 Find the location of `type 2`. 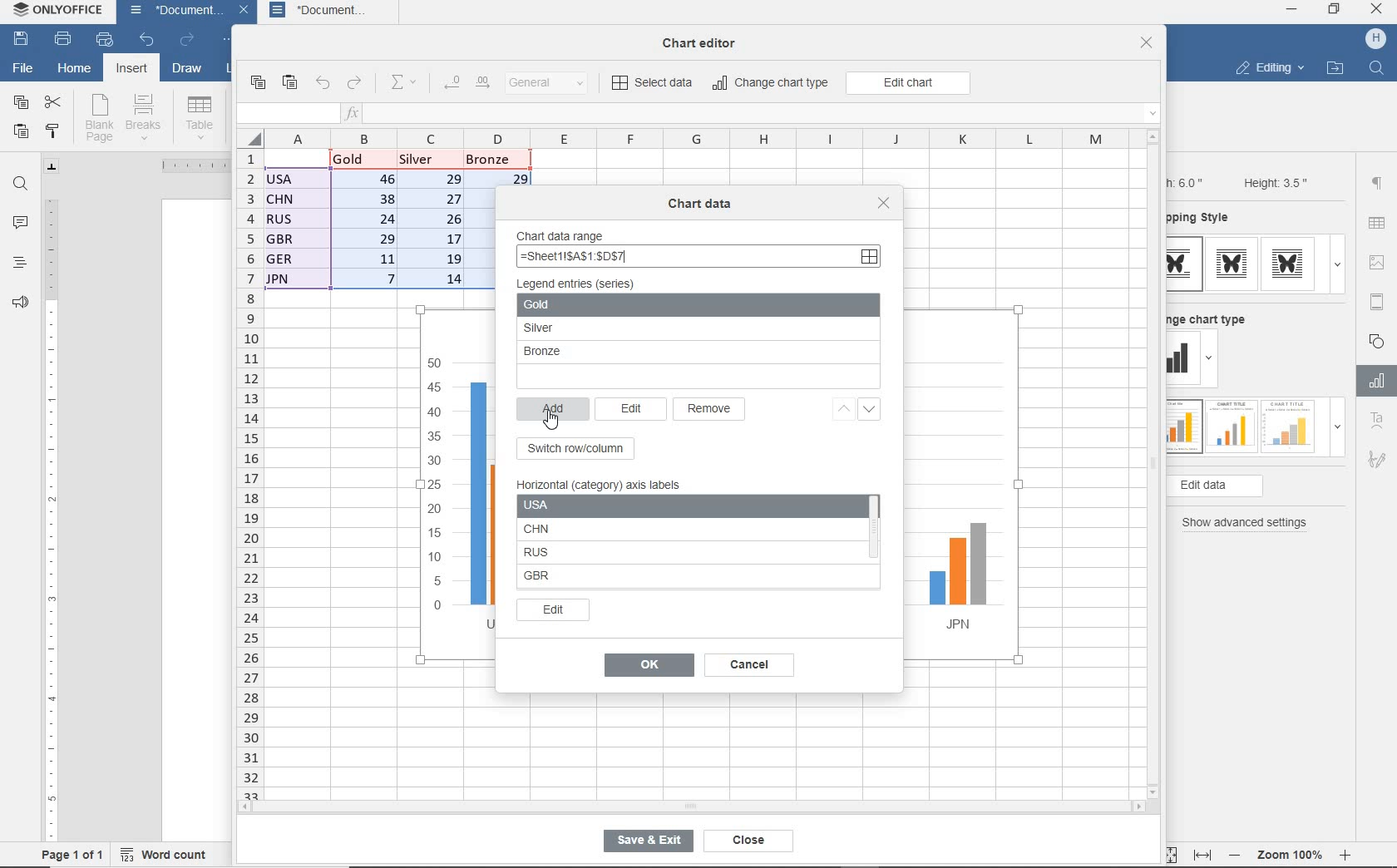

type 2 is located at coordinates (1232, 264).